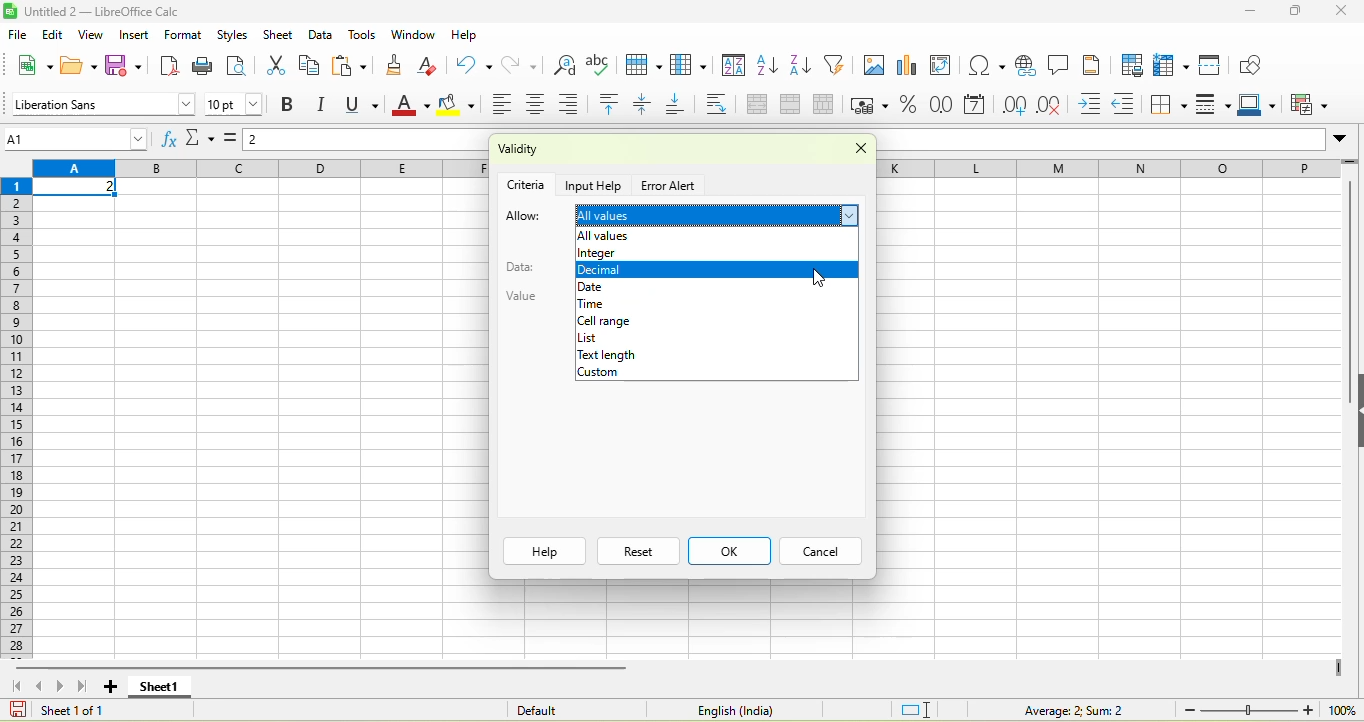 The width and height of the screenshot is (1364, 722). What do you see at coordinates (671, 186) in the screenshot?
I see `error alert` at bounding box center [671, 186].